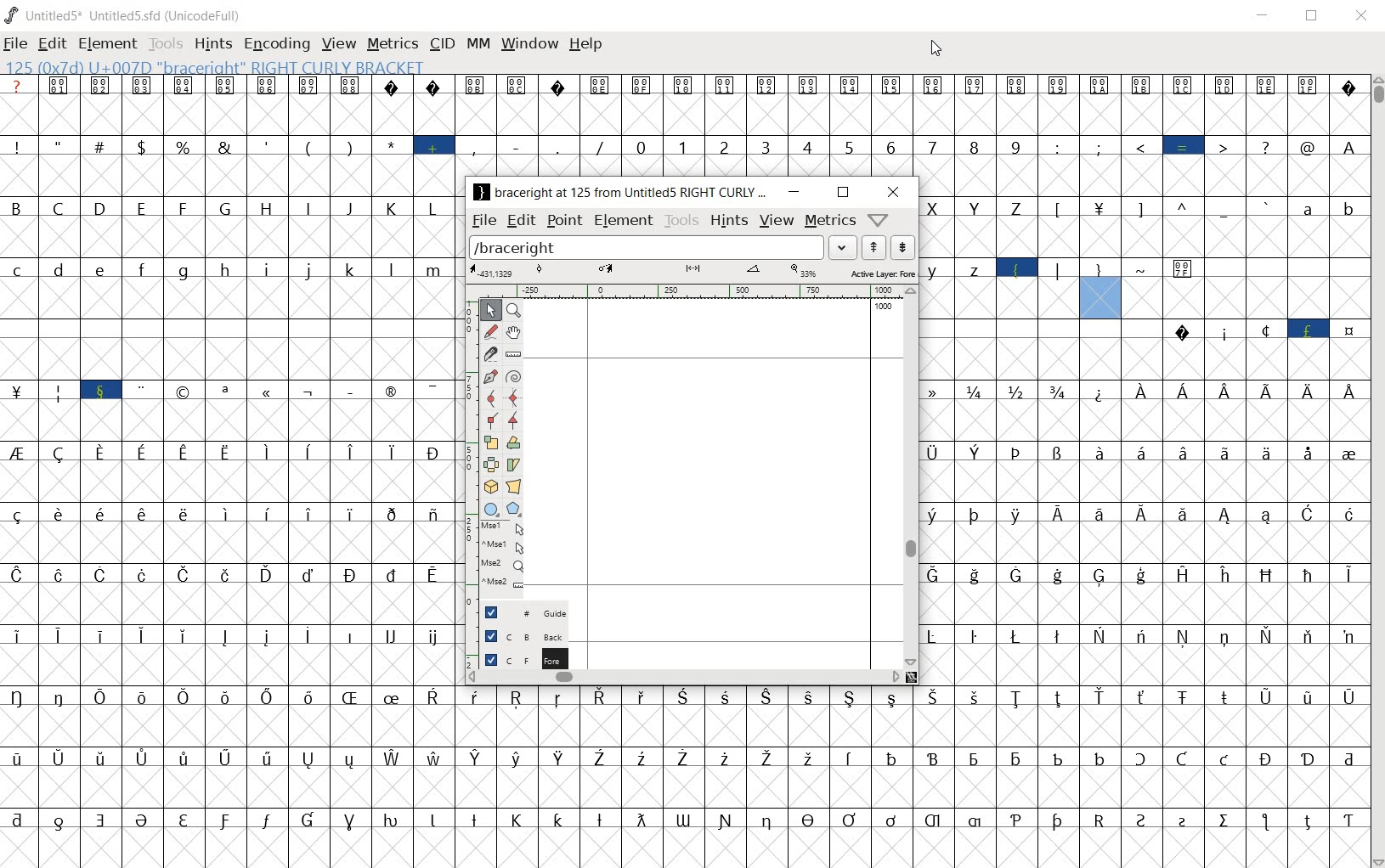 The image size is (1385, 868). Describe the element at coordinates (483, 223) in the screenshot. I see `file` at that location.